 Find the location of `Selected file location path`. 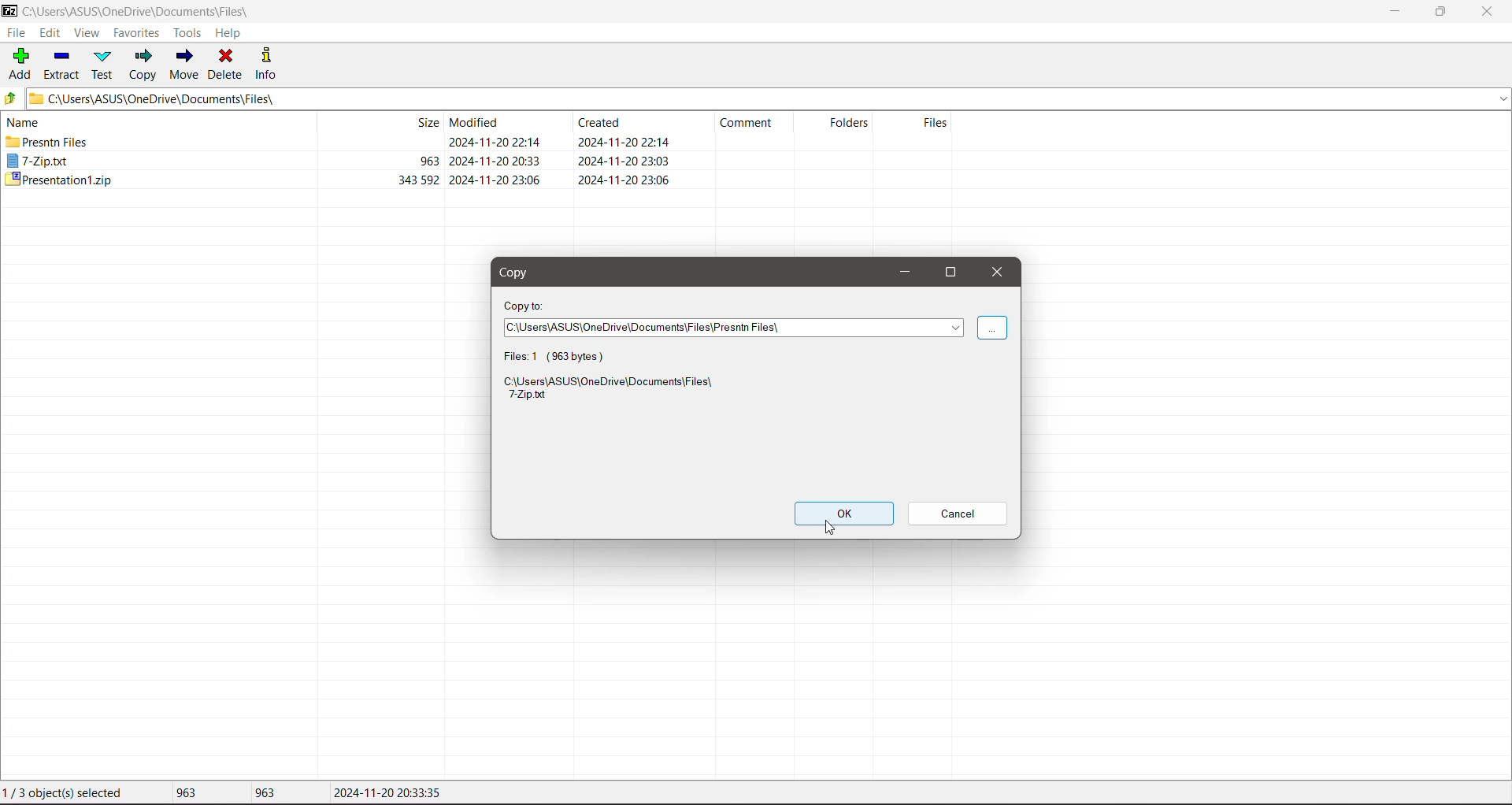

Selected file location path is located at coordinates (613, 391).